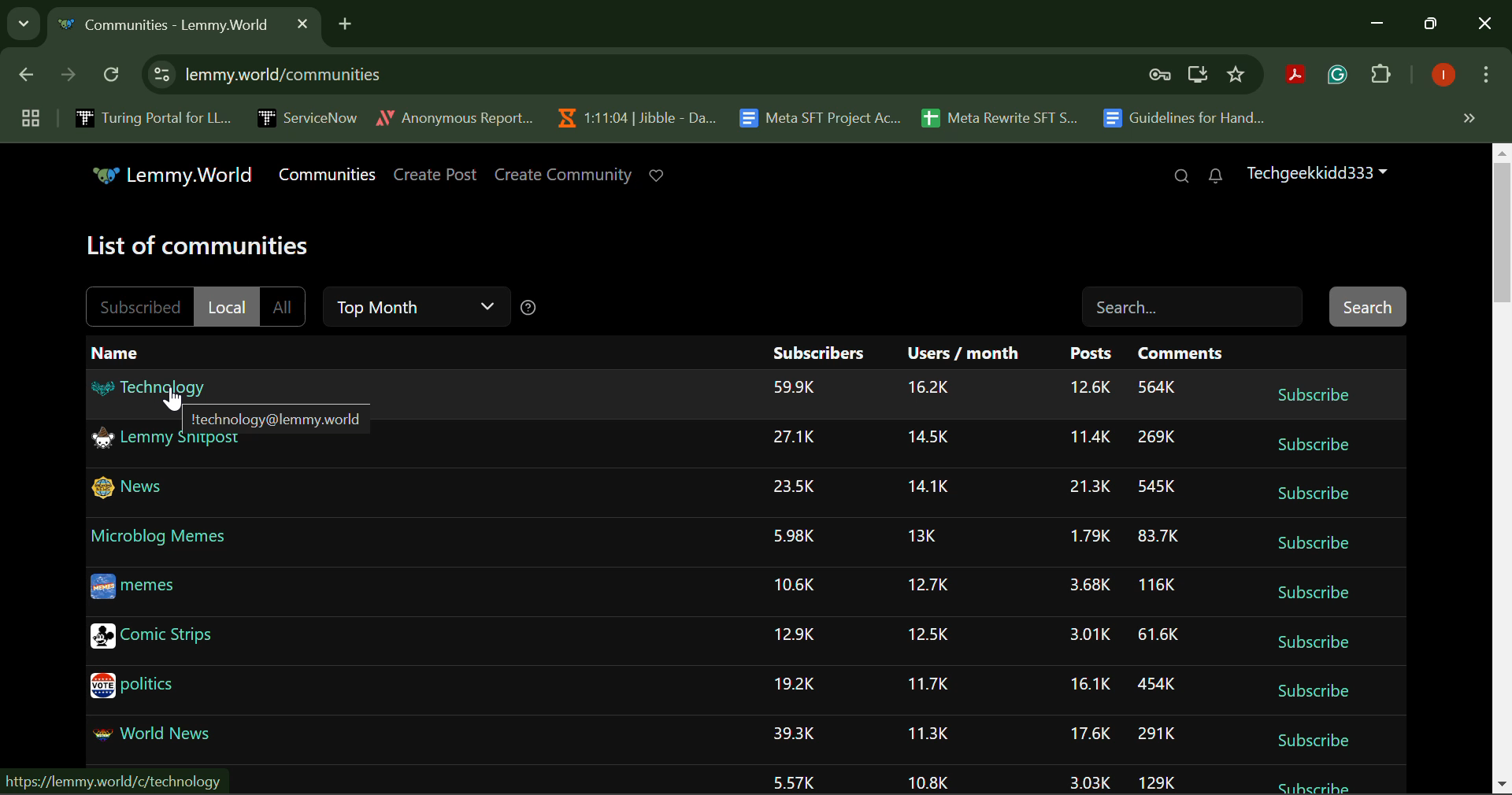 This screenshot has height=795, width=1512. Describe the element at coordinates (1313, 543) in the screenshot. I see `Subscribe Button` at that location.